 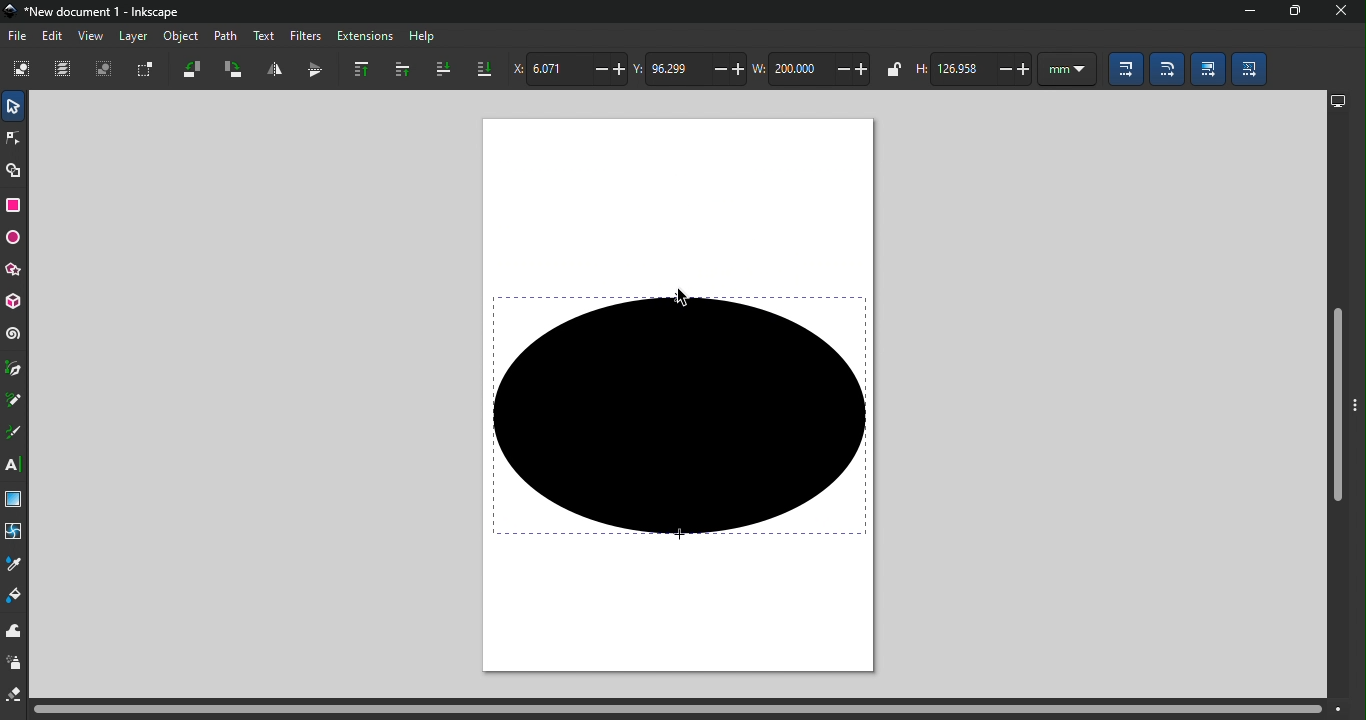 I want to click on display options, so click(x=1337, y=98).